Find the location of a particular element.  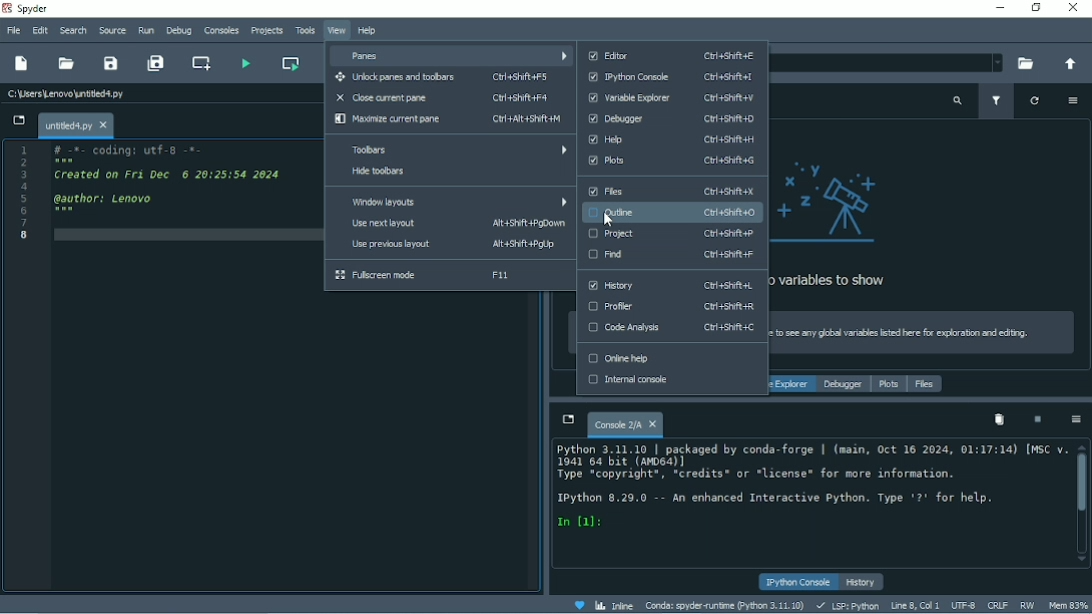

CRLF is located at coordinates (998, 604).